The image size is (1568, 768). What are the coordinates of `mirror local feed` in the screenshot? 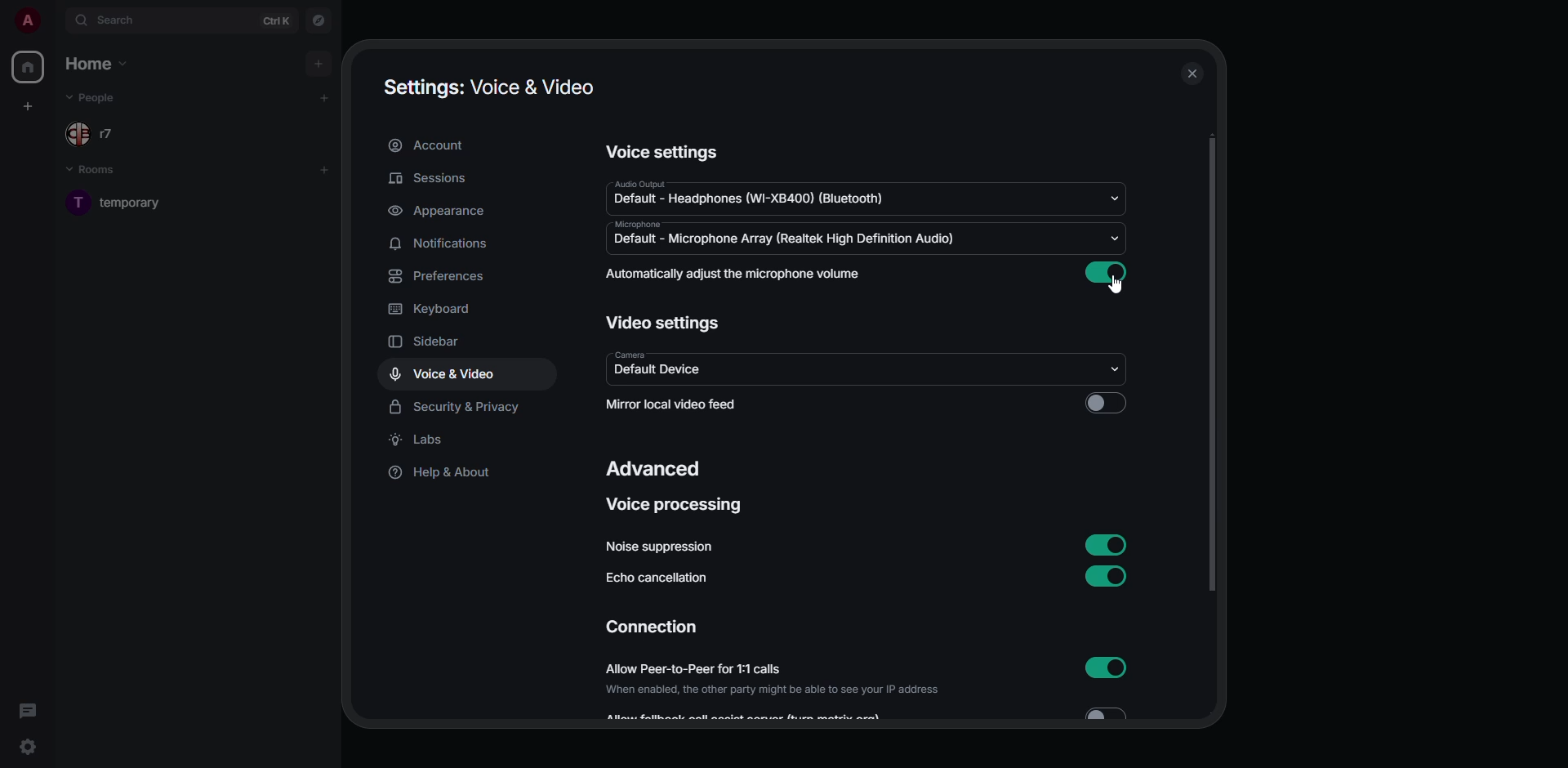 It's located at (671, 402).